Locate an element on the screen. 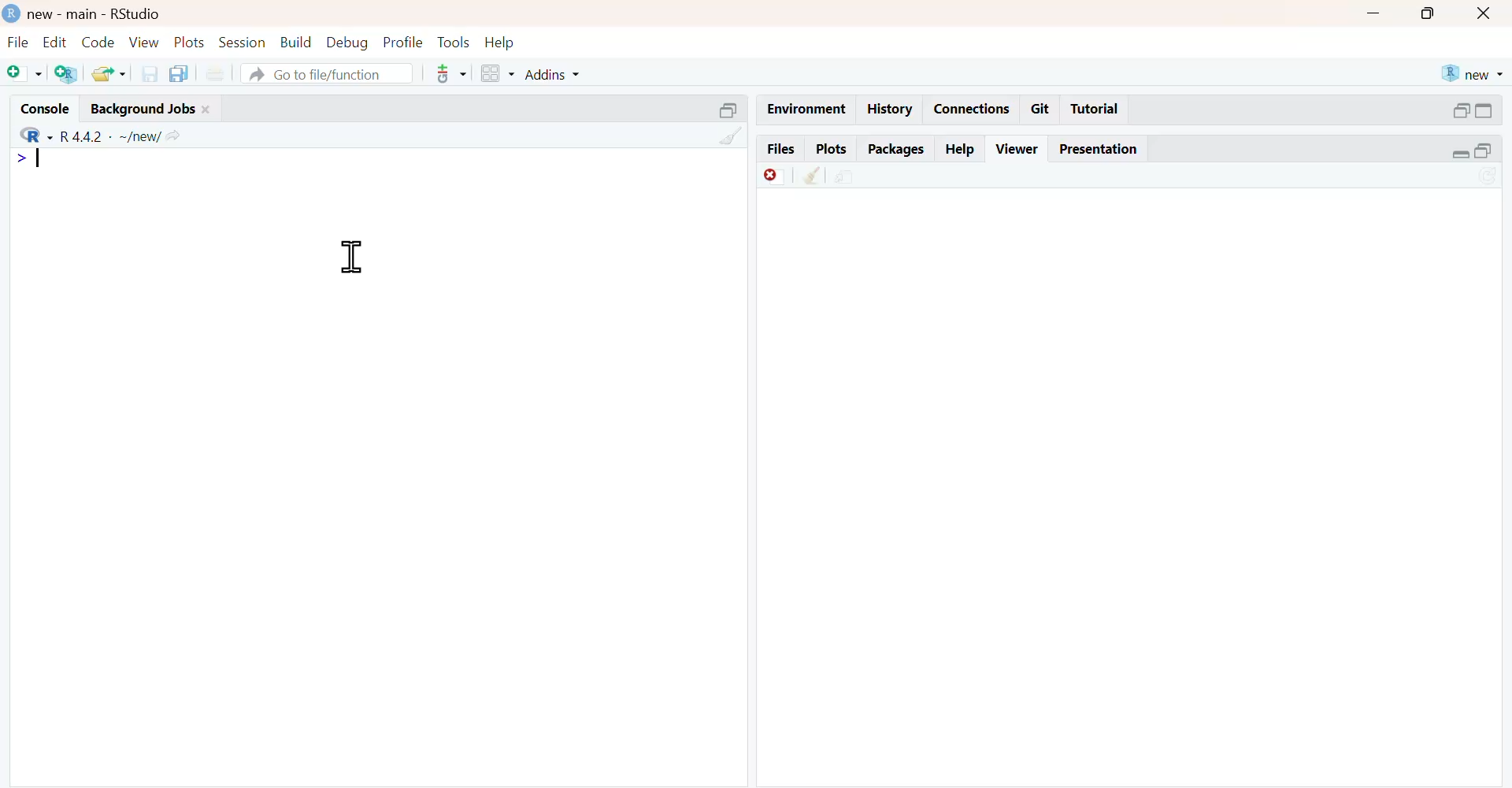 The width and height of the screenshot is (1512, 788). share icon is located at coordinates (175, 137).